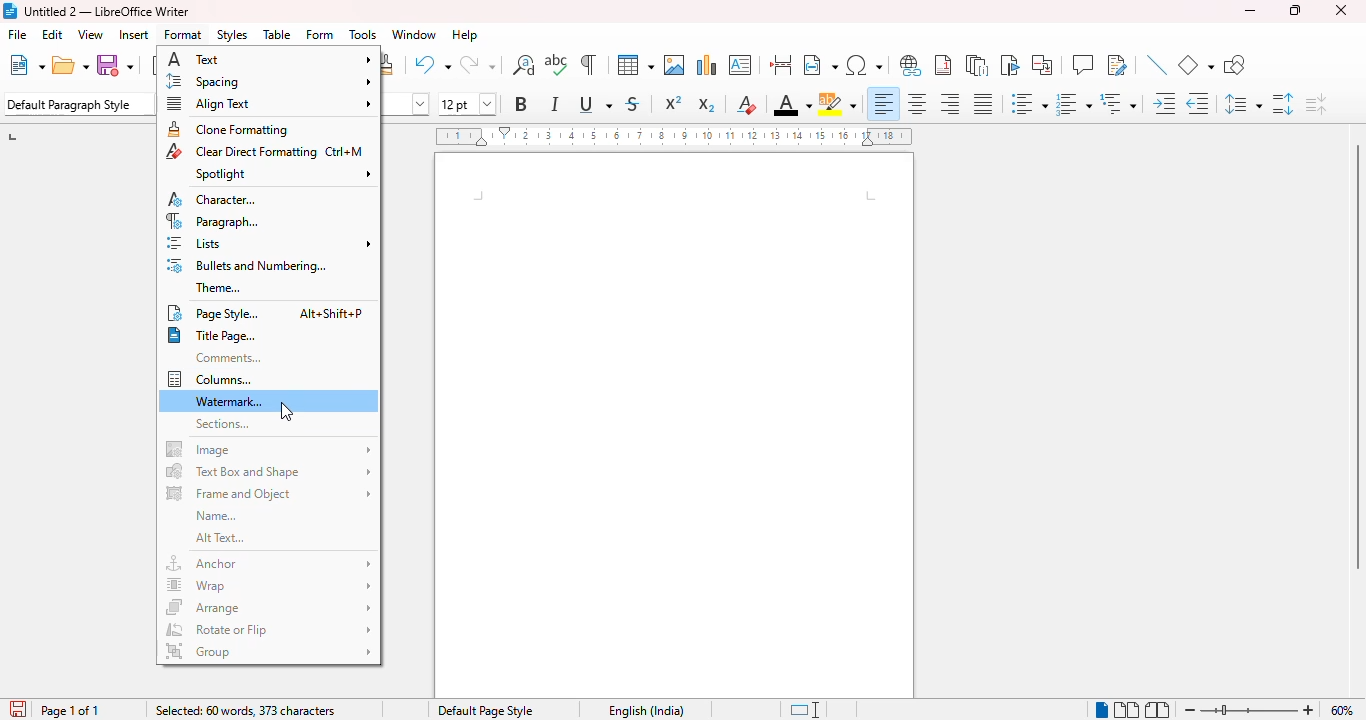 This screenshot has height=720, width=1366. Describe the element at coordinates (1009, 65) in the screenshot. I see `insert bookmark` at that location.